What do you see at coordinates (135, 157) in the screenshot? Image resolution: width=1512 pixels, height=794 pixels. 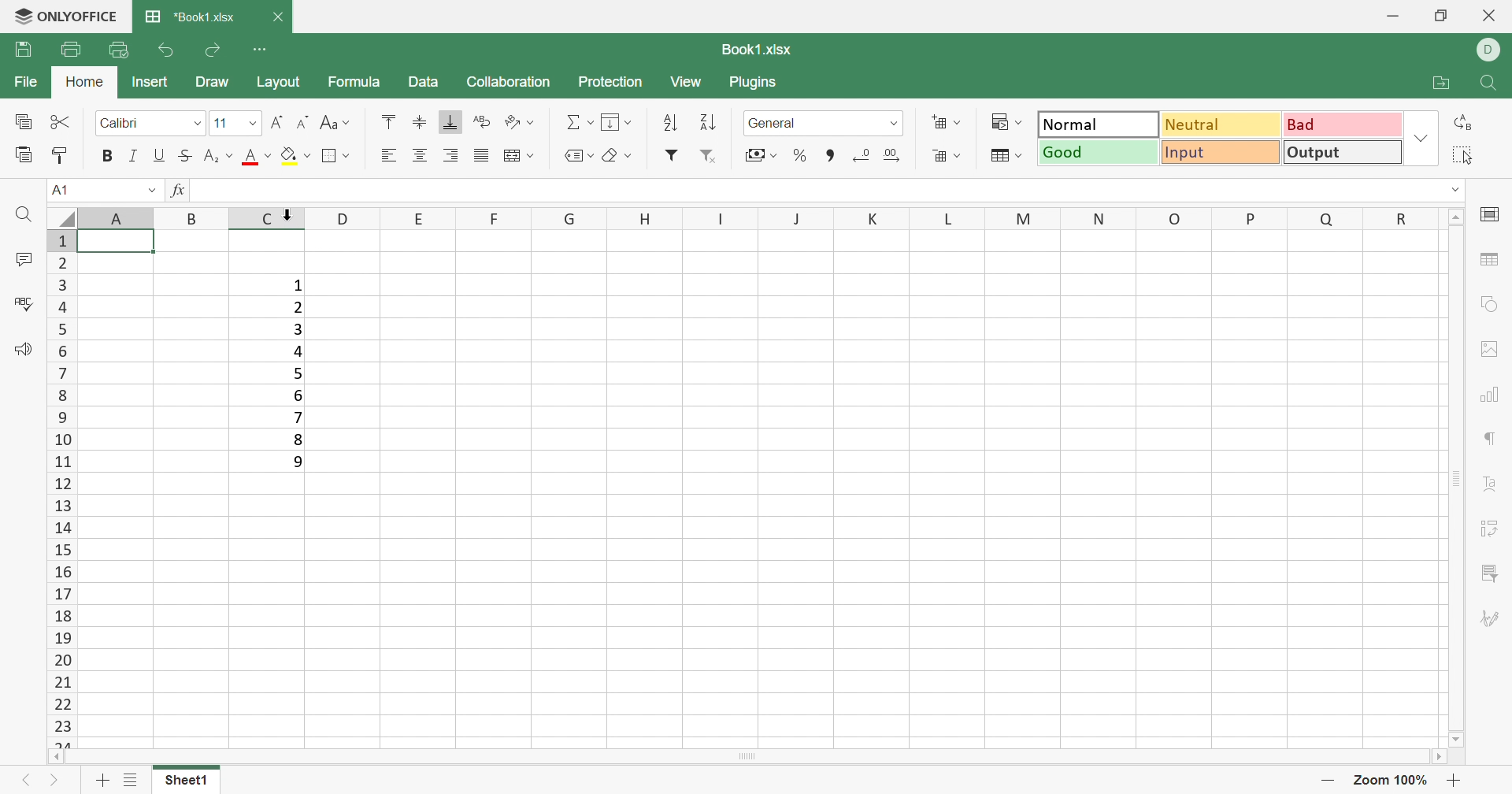 I see `Italic` at bounding box center [135, 157].